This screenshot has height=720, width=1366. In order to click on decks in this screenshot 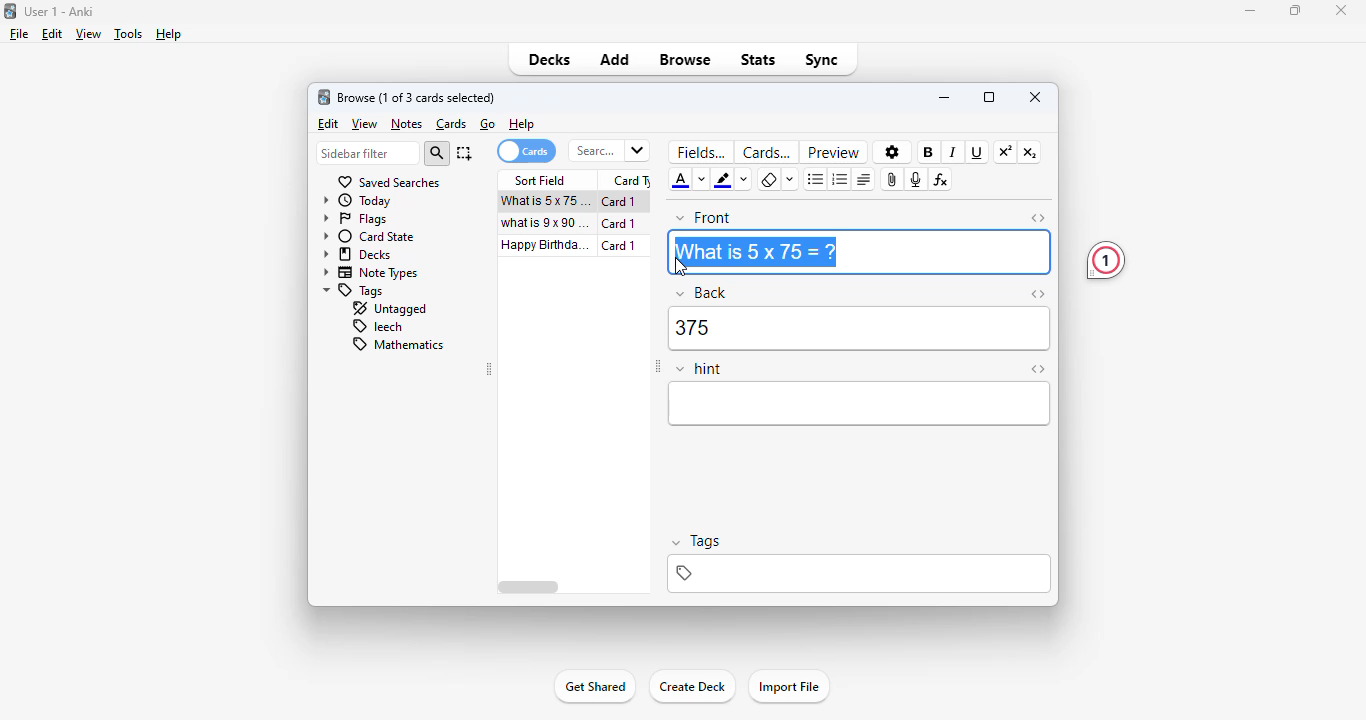, I will do `click(551, 59)`.